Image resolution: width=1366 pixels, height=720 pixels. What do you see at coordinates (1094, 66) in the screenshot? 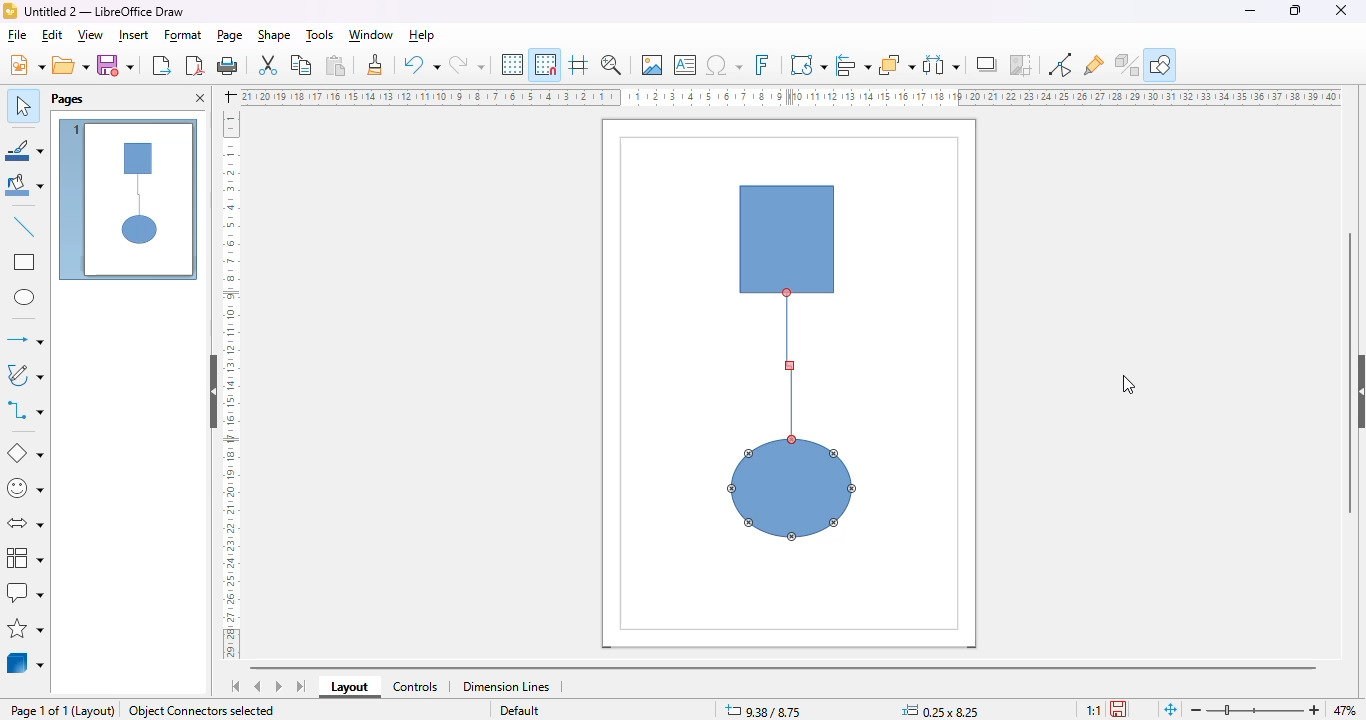
I see `show gluepoint functions` at bounding box center [1094, 66].